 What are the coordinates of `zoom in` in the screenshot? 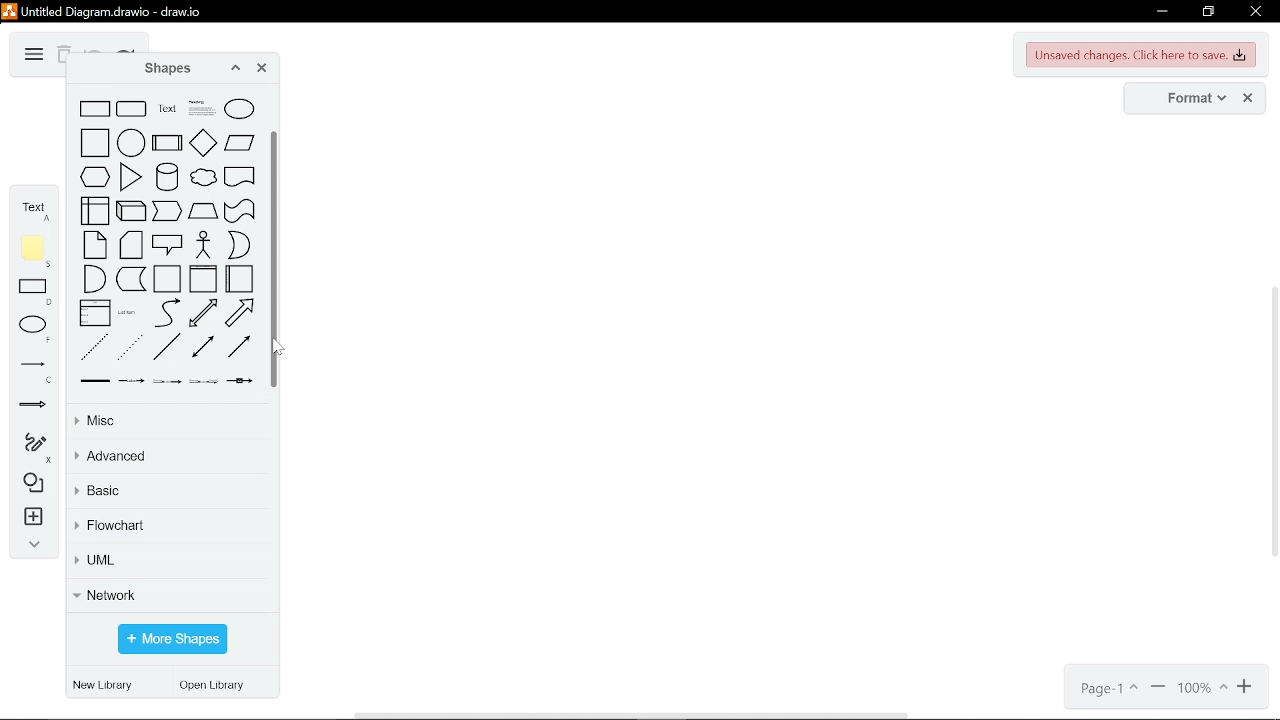 It's located at (1158, 689).